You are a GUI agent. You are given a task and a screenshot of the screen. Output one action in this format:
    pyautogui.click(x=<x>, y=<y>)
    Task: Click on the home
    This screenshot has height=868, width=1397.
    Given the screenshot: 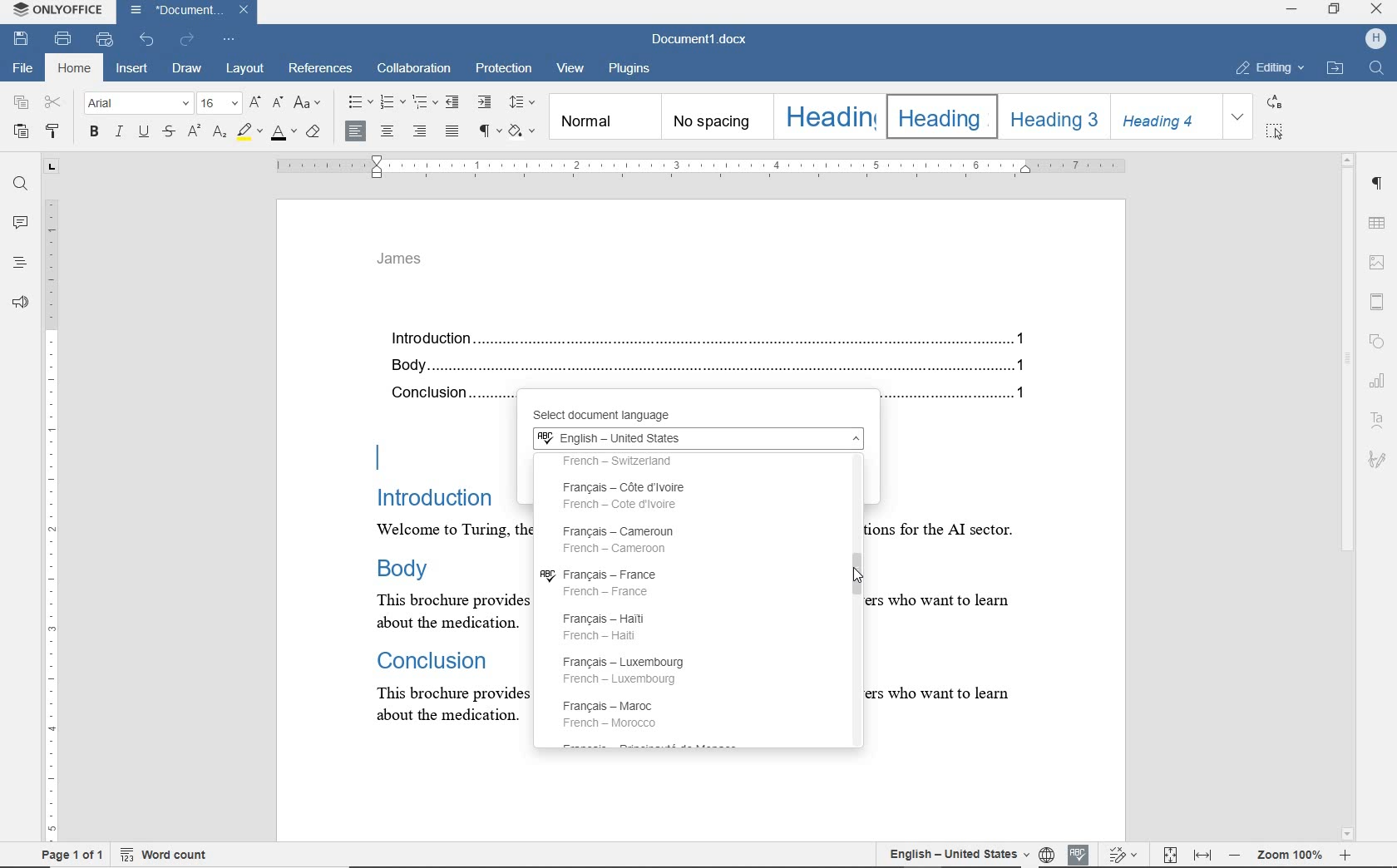 What is the action you would take?
    pyautogui.click(x=73, y=69)
    